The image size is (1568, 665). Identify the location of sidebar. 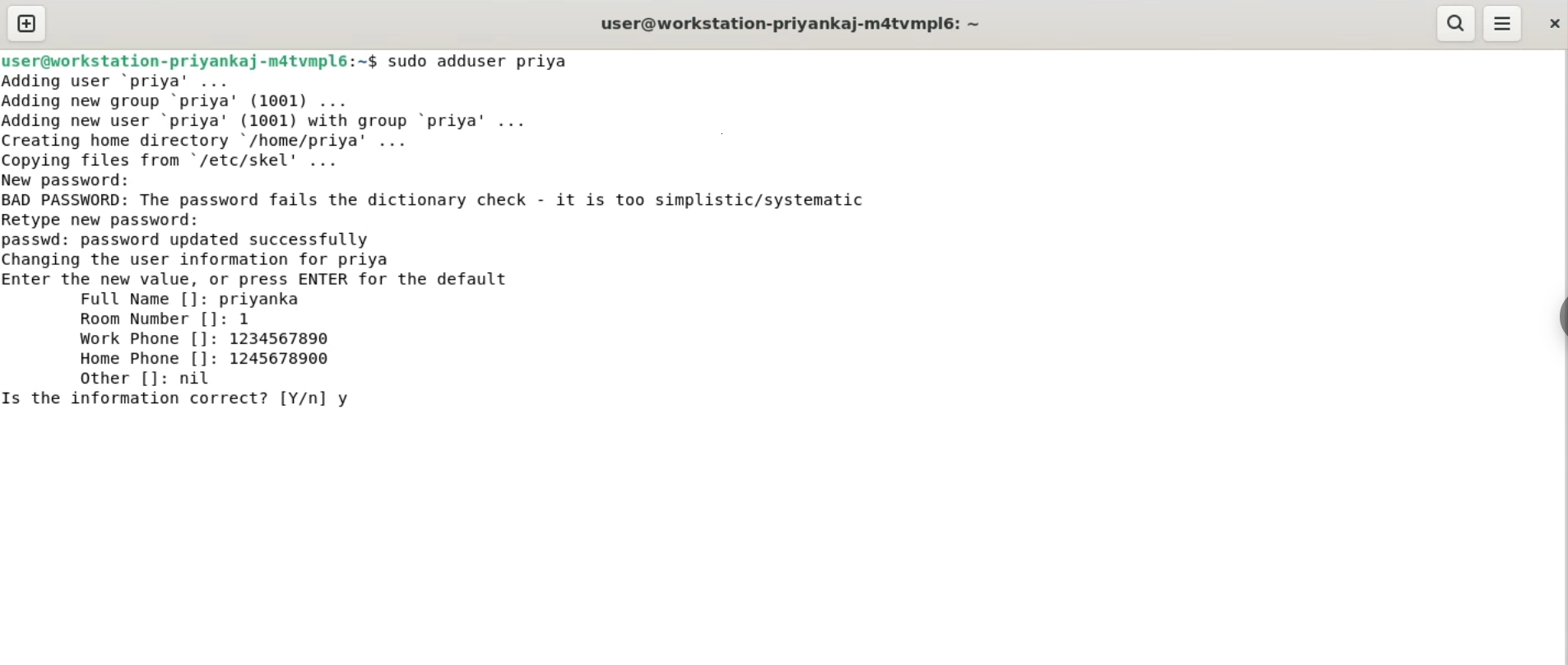
(1560, 318).